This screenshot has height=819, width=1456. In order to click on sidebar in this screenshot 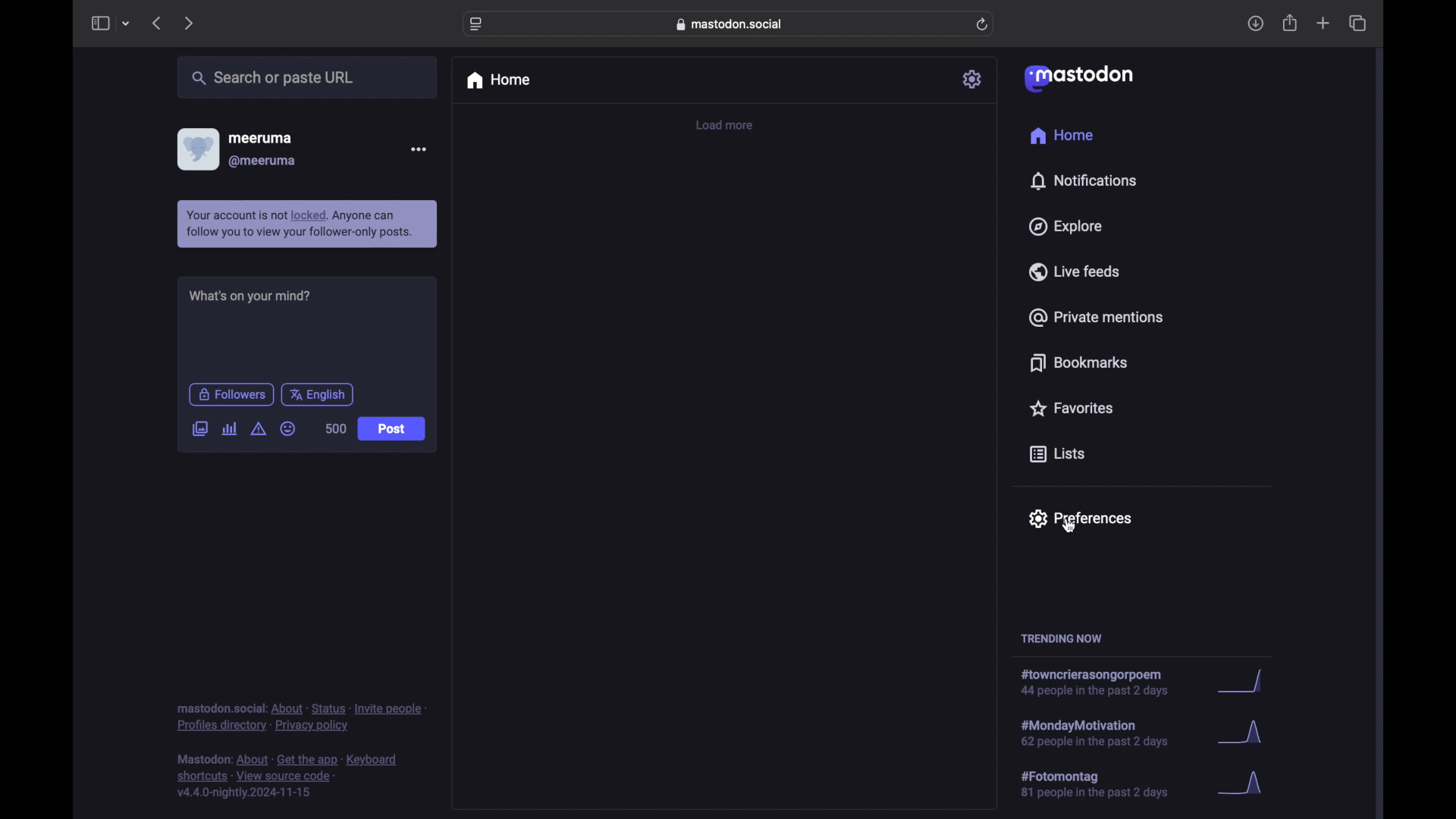, I will do `click(99, 23)`.